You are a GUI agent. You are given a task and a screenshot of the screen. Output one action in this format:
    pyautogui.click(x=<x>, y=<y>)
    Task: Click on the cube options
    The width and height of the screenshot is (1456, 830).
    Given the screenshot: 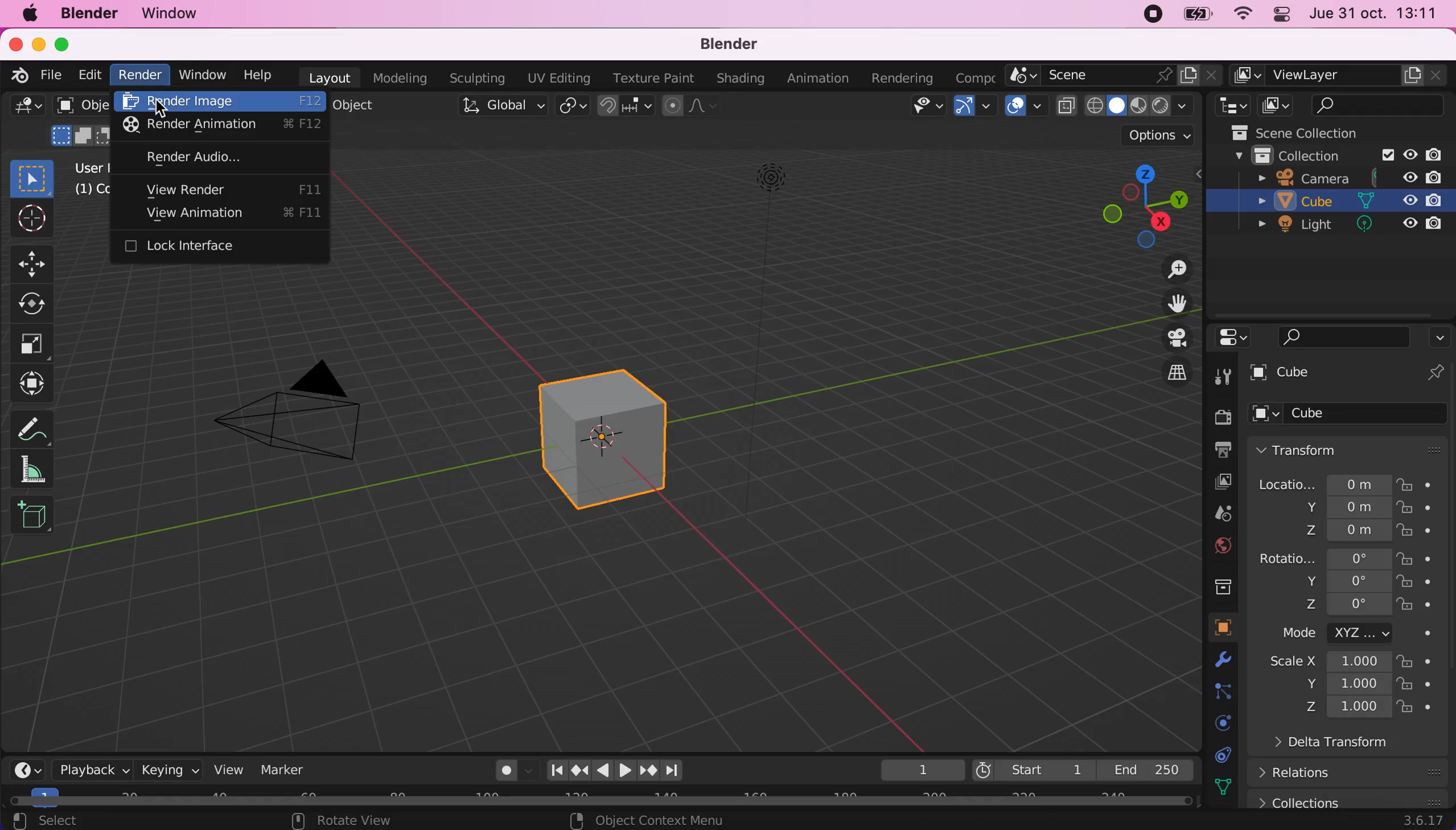 What is the action you would take?
    pyautogui.click(x=1354, y=414)
    